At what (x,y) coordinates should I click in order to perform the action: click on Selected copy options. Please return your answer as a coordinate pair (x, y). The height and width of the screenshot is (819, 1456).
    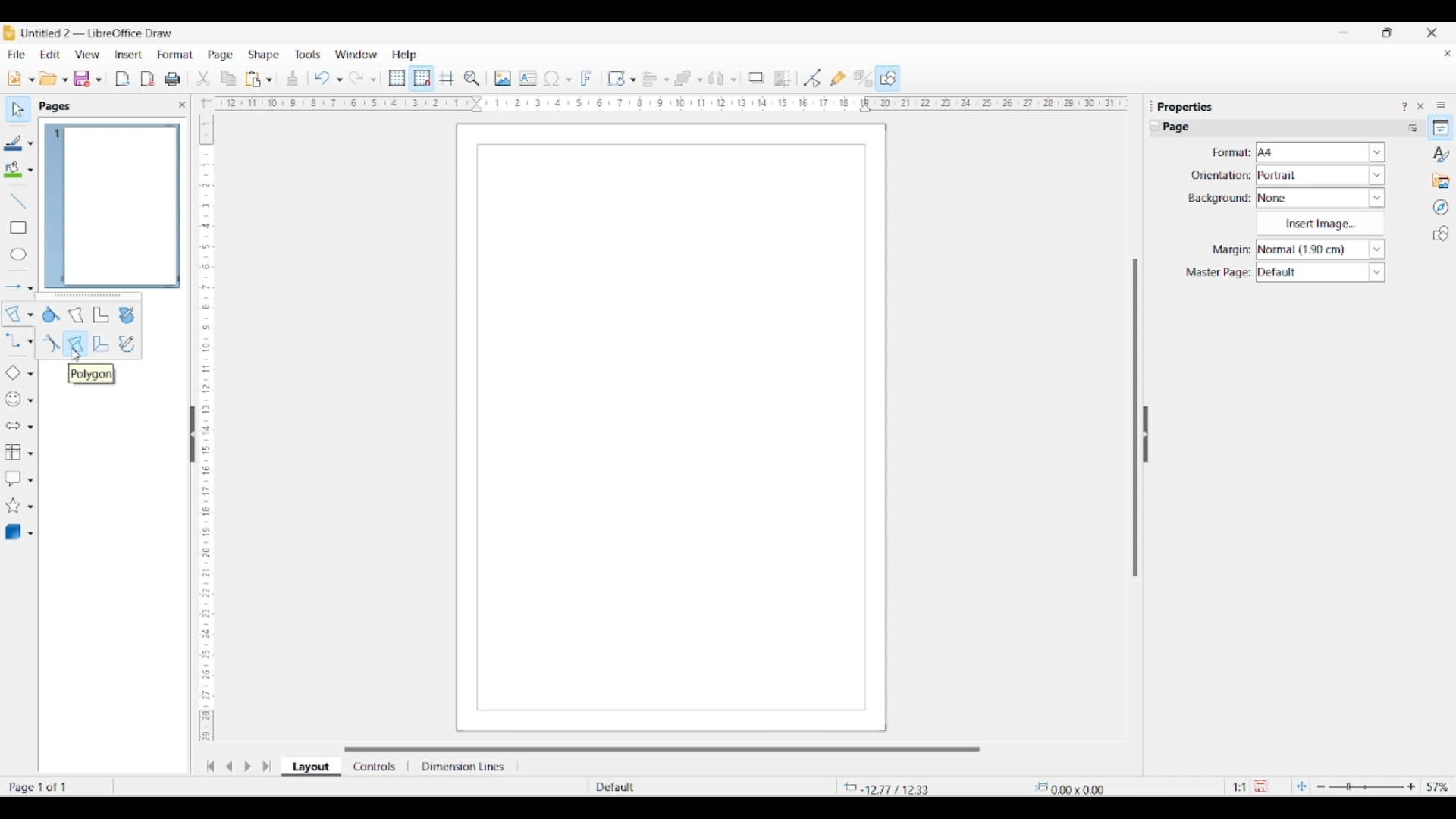
    Looking at the image, I should click on (203, 79).